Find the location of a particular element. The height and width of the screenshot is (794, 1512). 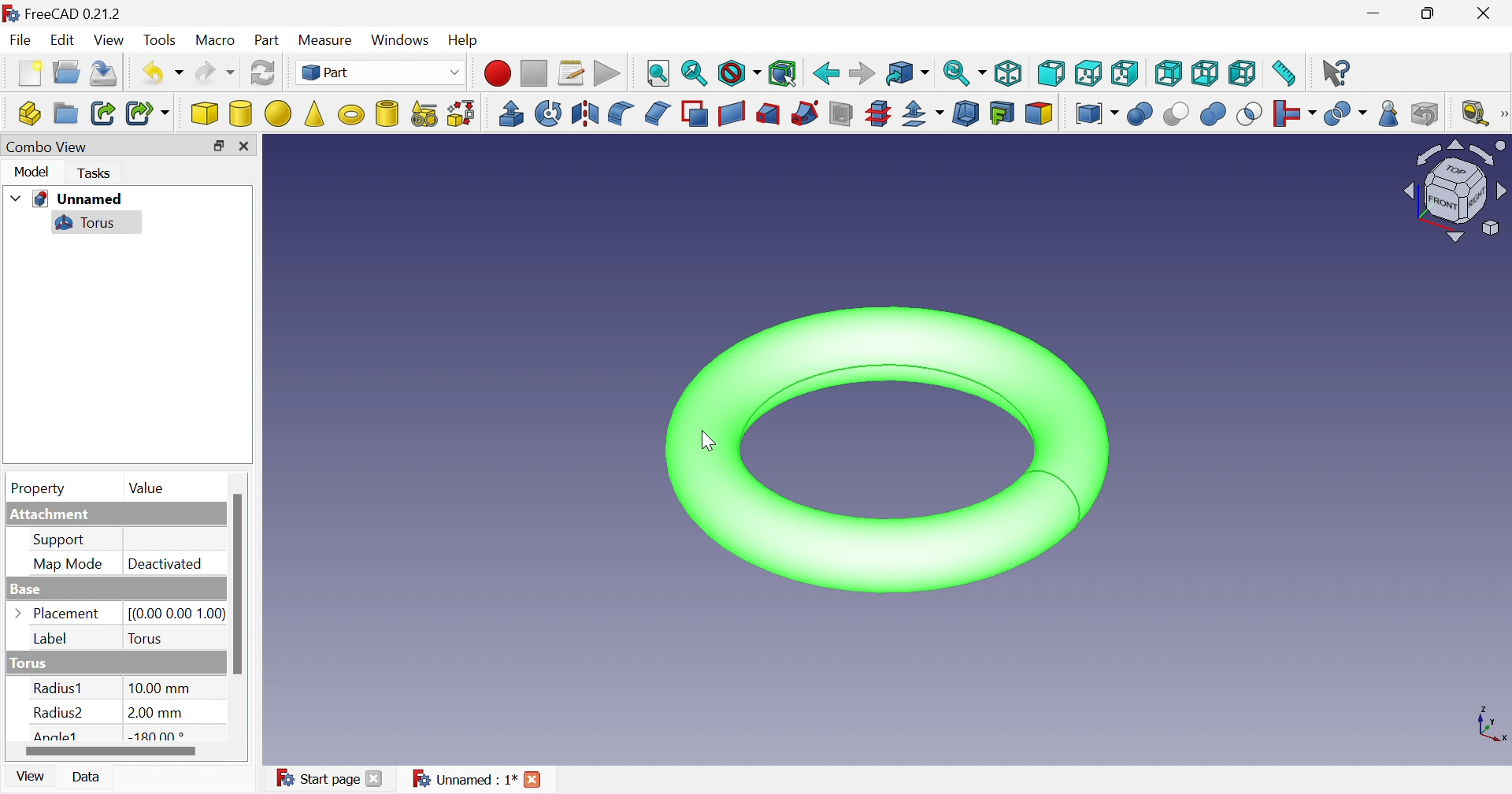

Angle1 is located at coordinates (56, 736).